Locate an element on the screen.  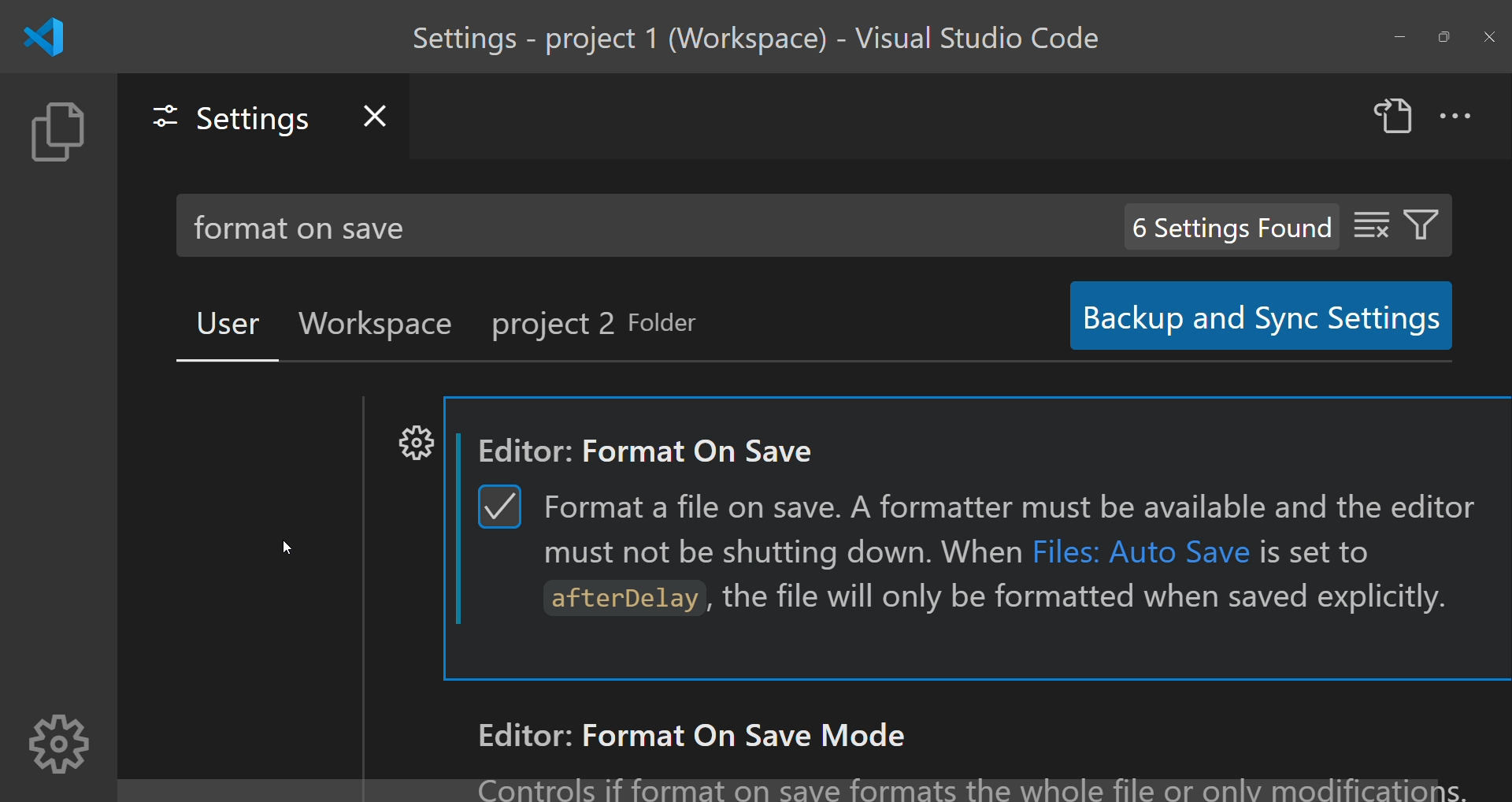
6 settings found is located at coordinates (1228, 227).